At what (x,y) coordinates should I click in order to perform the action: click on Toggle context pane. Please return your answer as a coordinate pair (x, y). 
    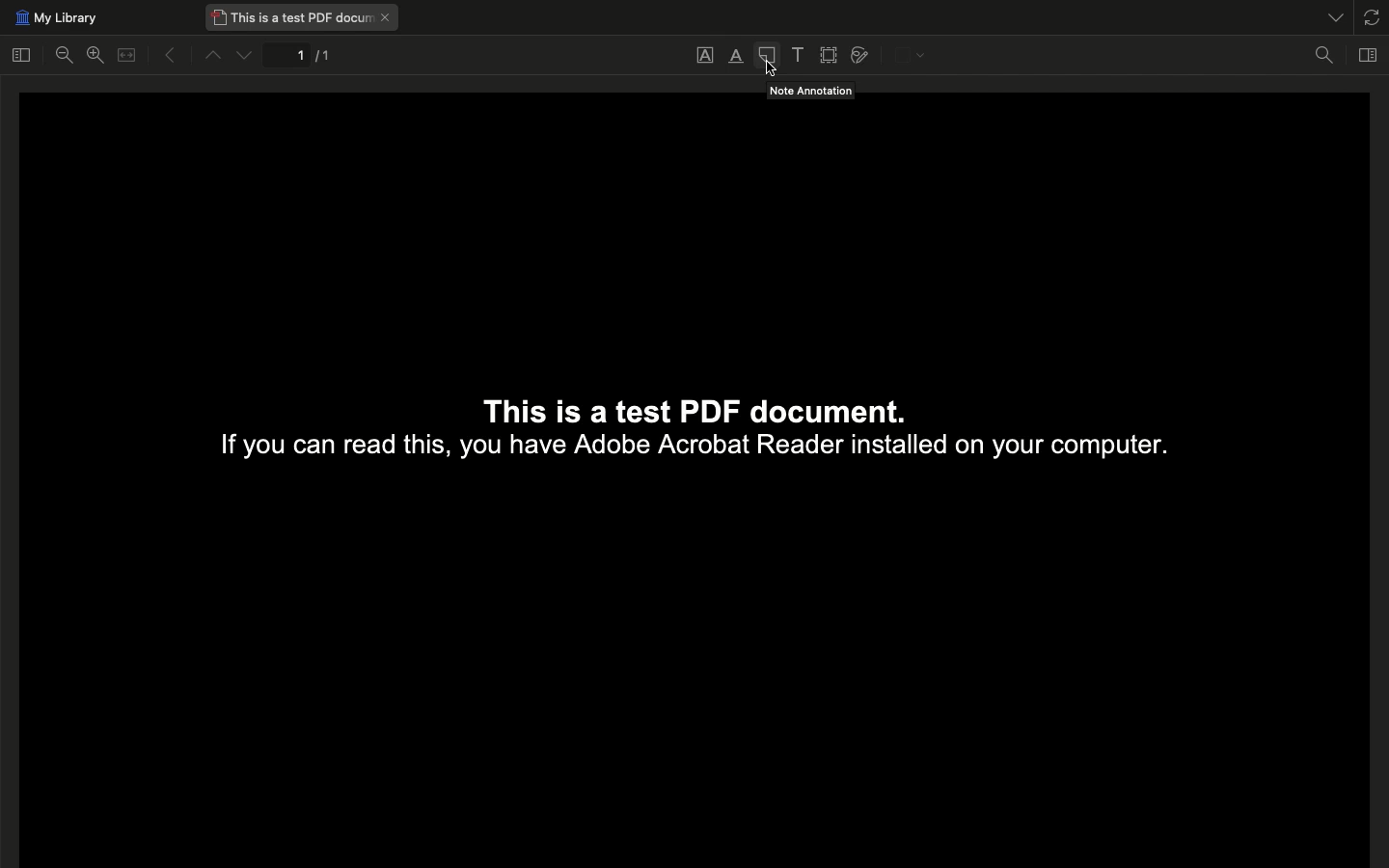
    Looking at the image, I should click on (1370, 53).